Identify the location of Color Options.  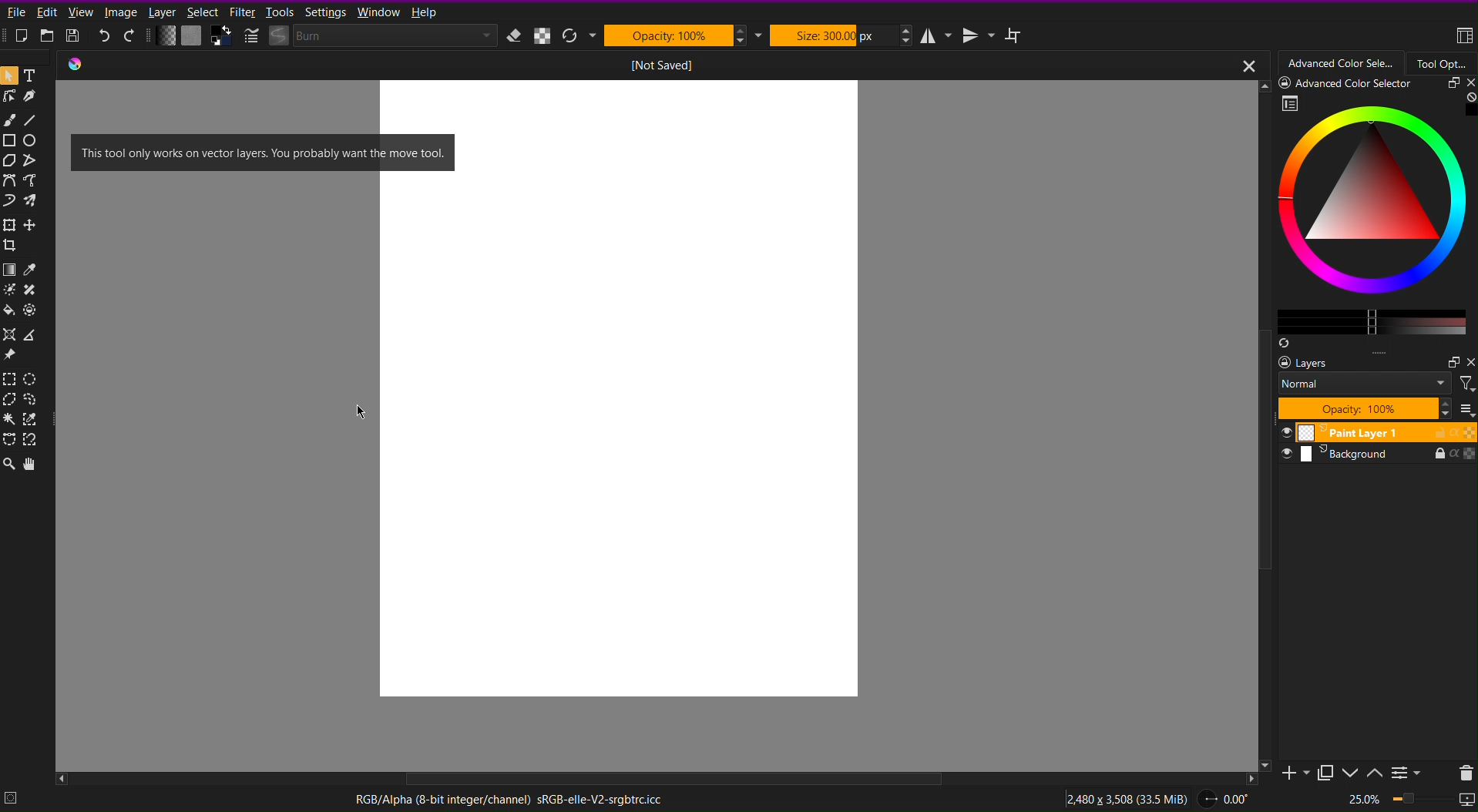
(22, 290).